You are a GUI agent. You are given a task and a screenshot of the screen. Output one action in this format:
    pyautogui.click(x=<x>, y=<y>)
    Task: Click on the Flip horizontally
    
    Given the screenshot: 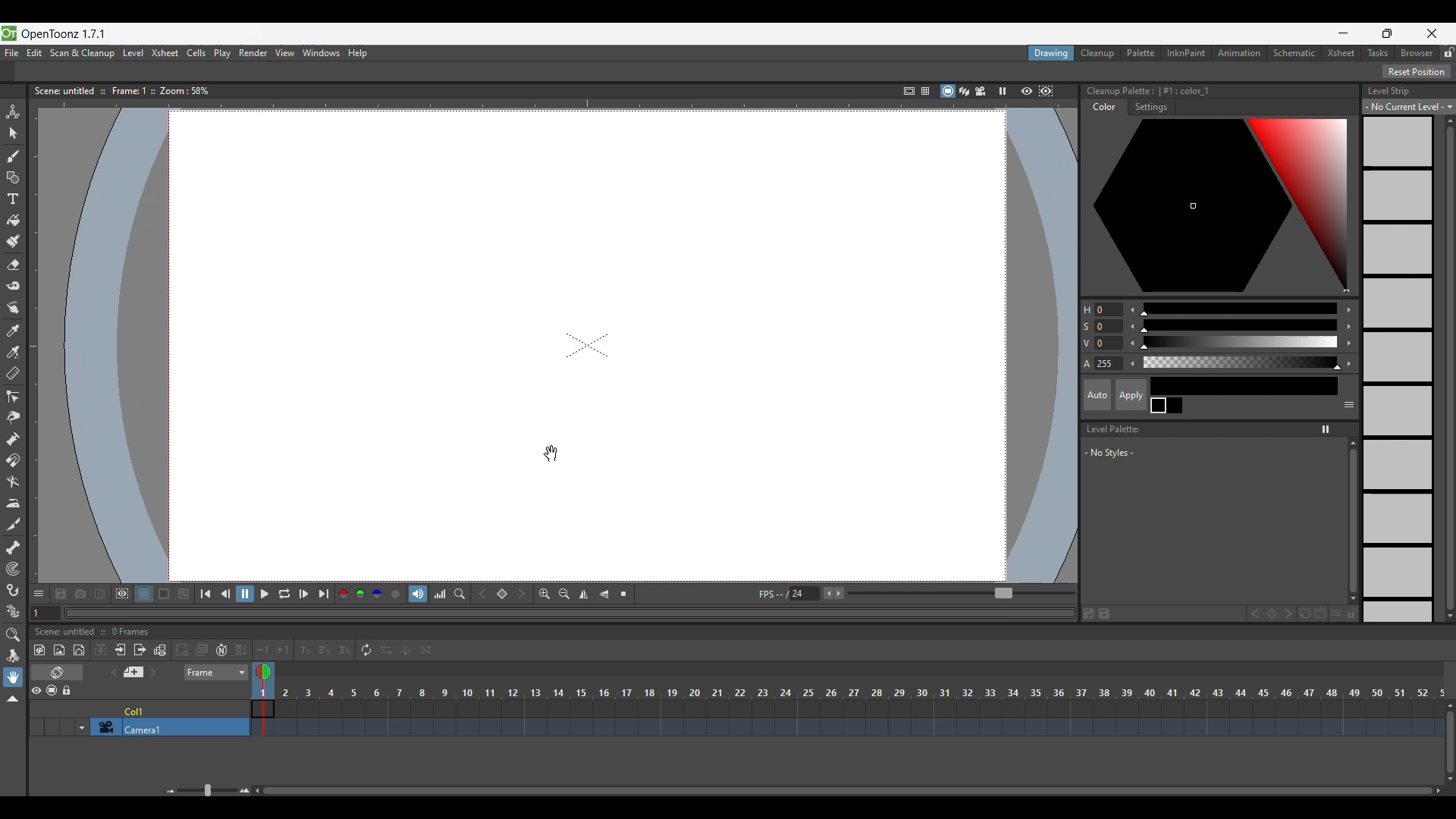 What is the action you would take?
    pyautogui.click(x=585, y=594)
    